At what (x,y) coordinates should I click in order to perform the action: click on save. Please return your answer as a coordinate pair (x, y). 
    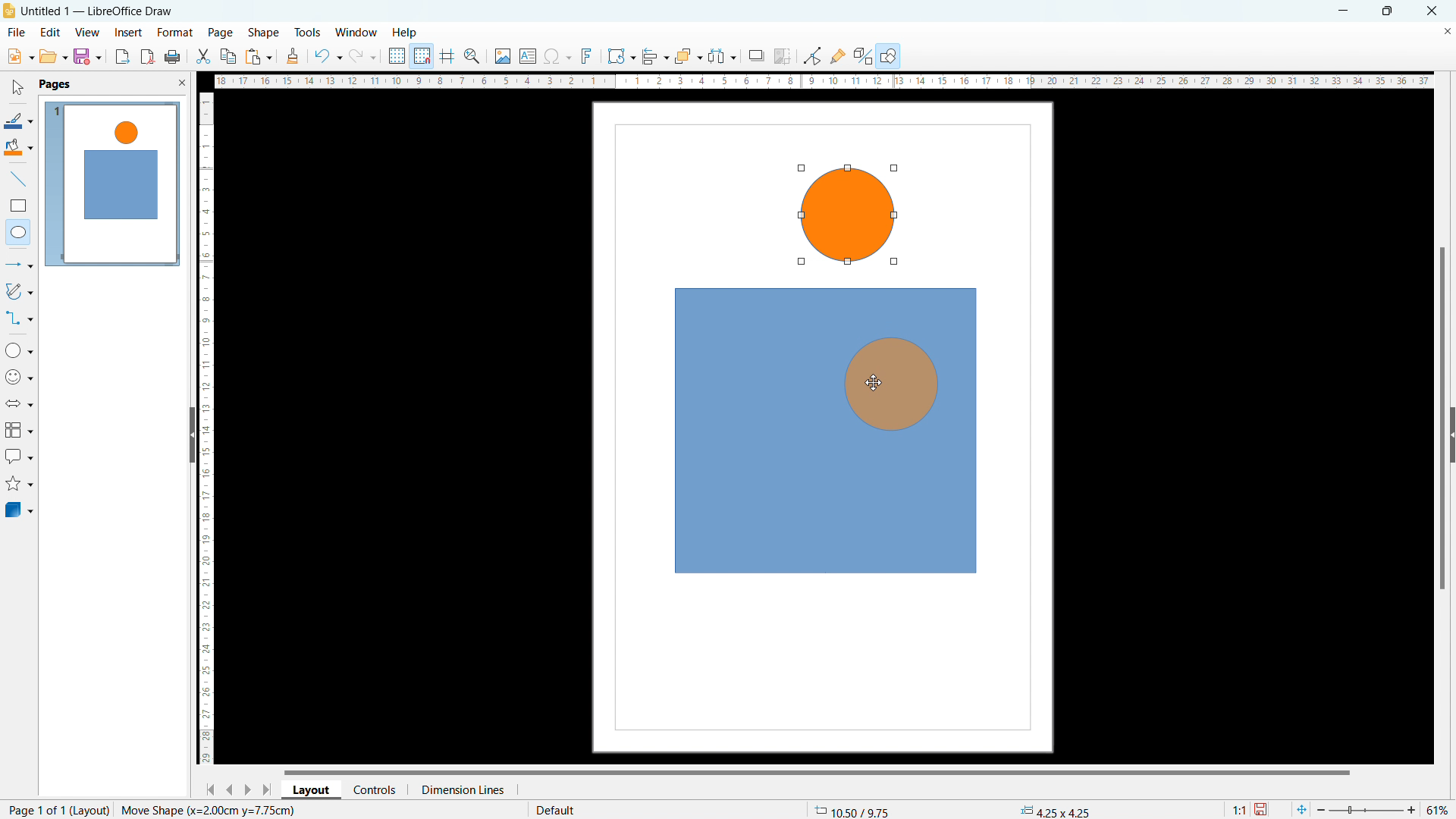
    Looking at the image, I should click on (1263, 810).